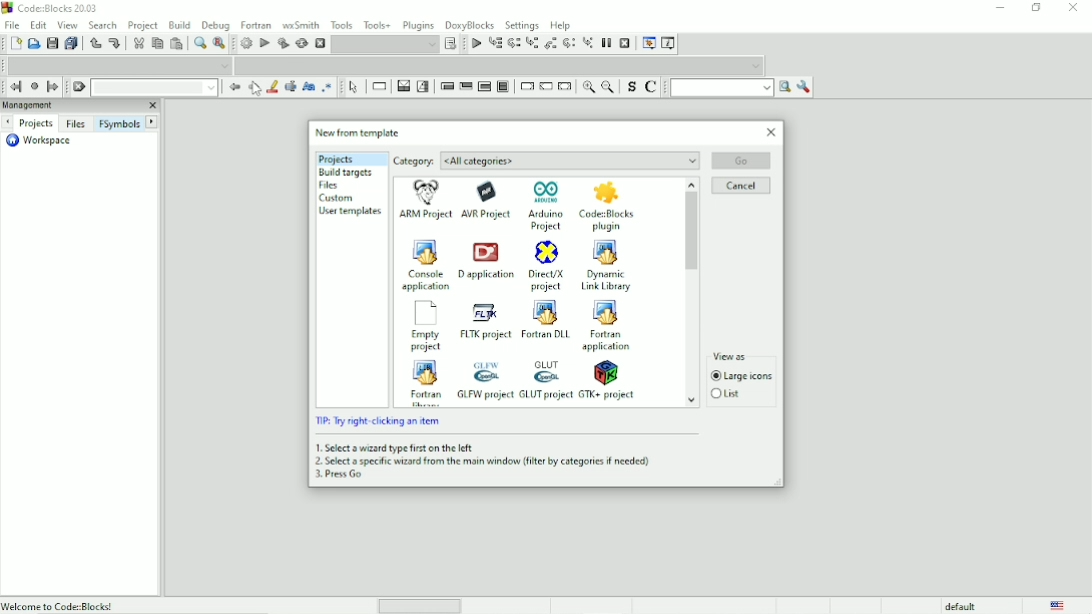 The image size is (1092, 614). Describe the element at coordinates (525, 86) in the screenshot. I see `Break instruction` at that location.